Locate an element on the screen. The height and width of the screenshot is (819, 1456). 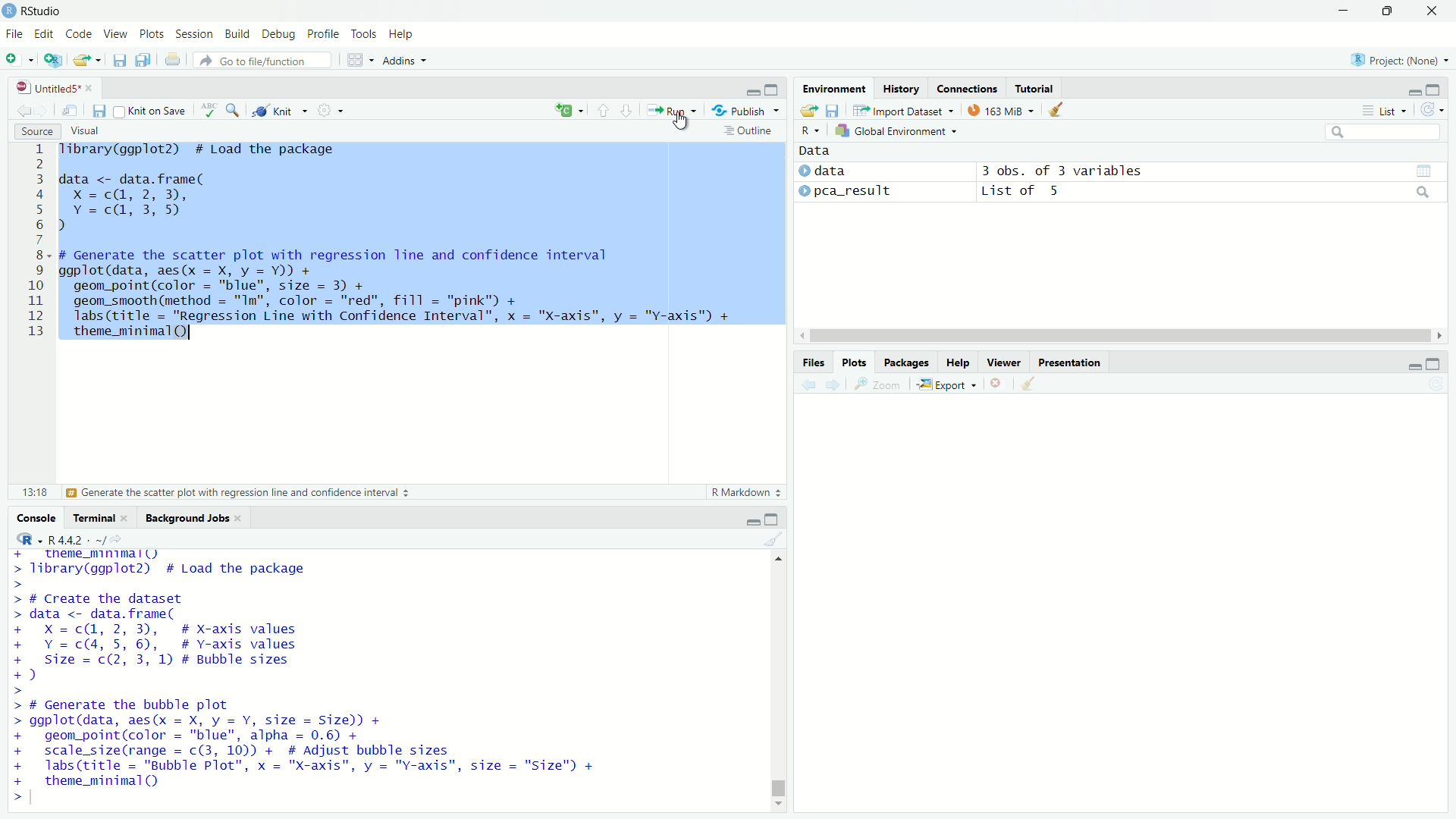
R Markdown is located at coordinates (745, 492).